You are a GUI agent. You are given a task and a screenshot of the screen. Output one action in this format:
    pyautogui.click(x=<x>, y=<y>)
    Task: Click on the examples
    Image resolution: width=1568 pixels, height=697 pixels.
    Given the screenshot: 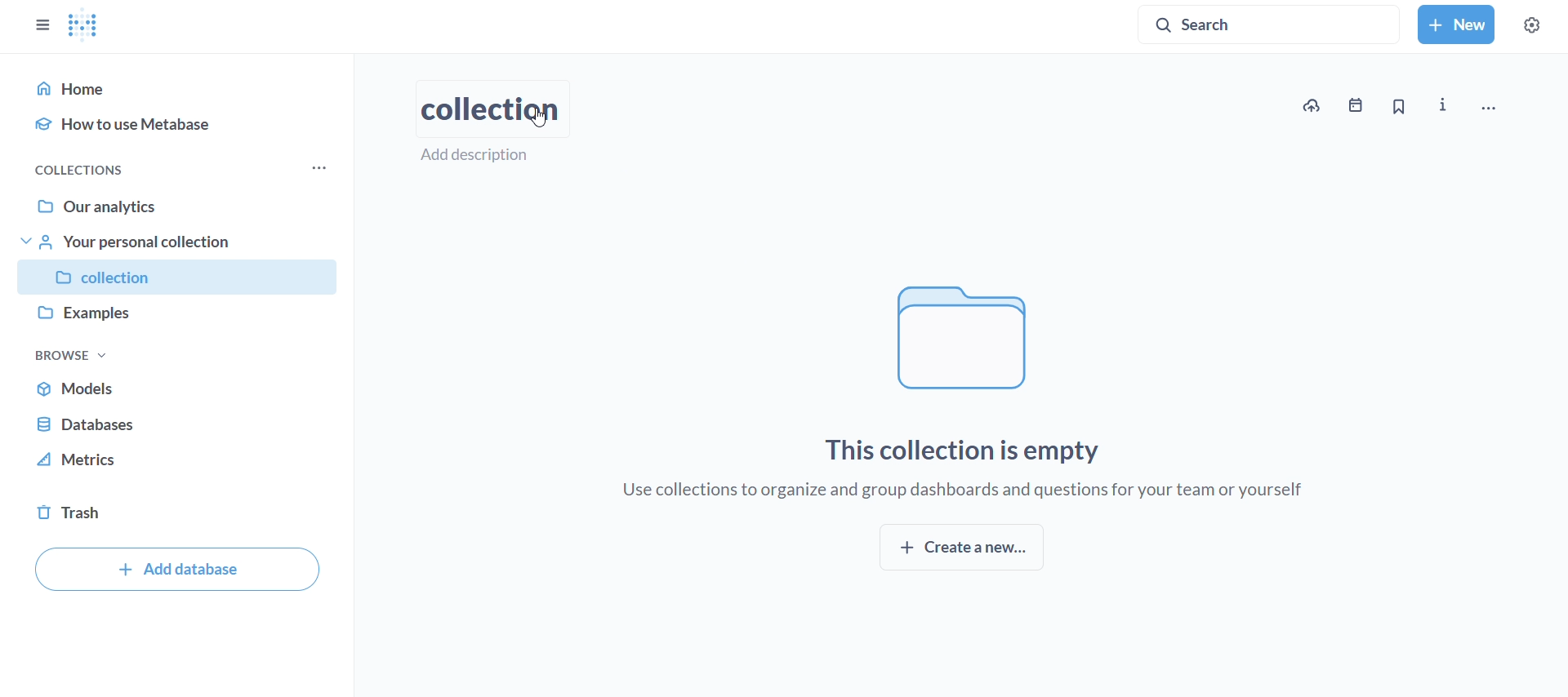 What is the action you would take?
    pyautogui.click(x=183, y=317)
    